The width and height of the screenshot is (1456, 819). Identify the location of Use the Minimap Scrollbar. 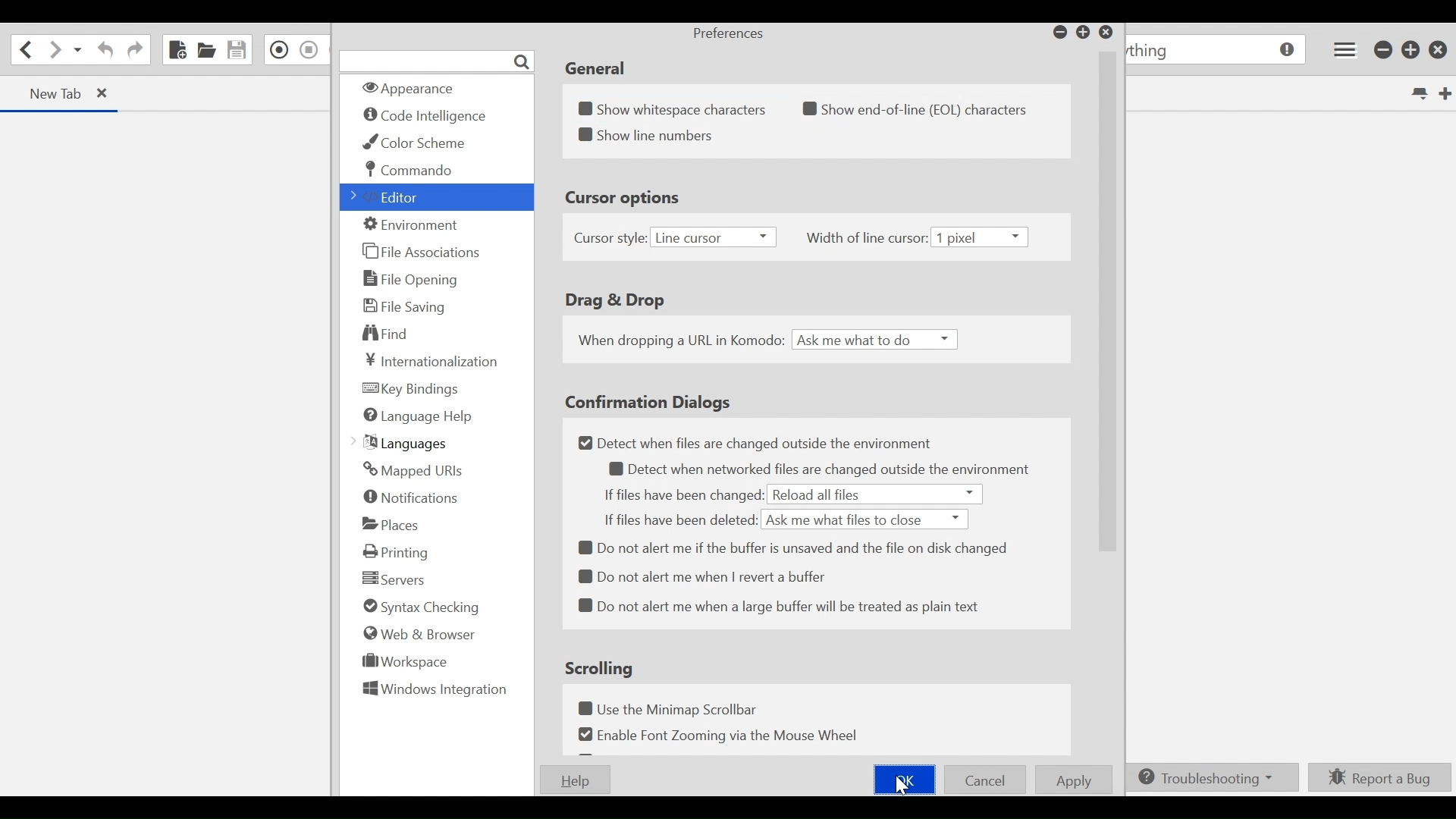
(672, 710).